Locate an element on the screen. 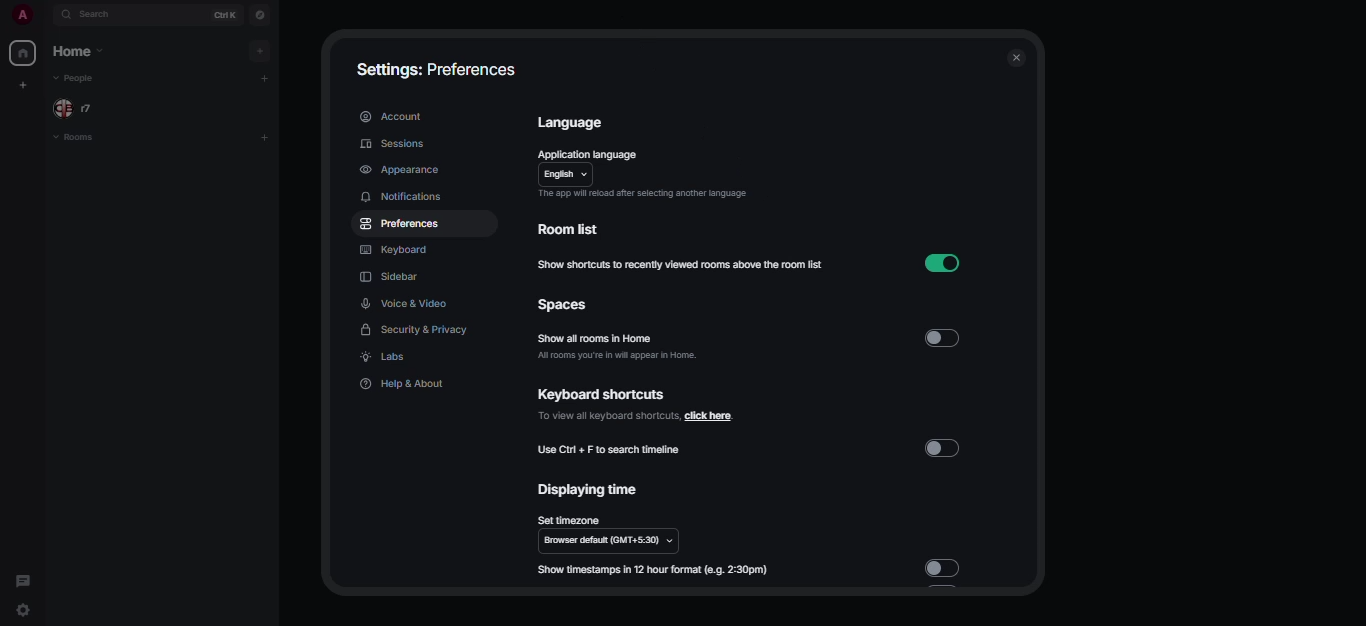 The width and height of the screenshot is (1366, 626). show timestamp in 12 hour format (e.g. 2:30pm) is located at coordinates (655, 571).